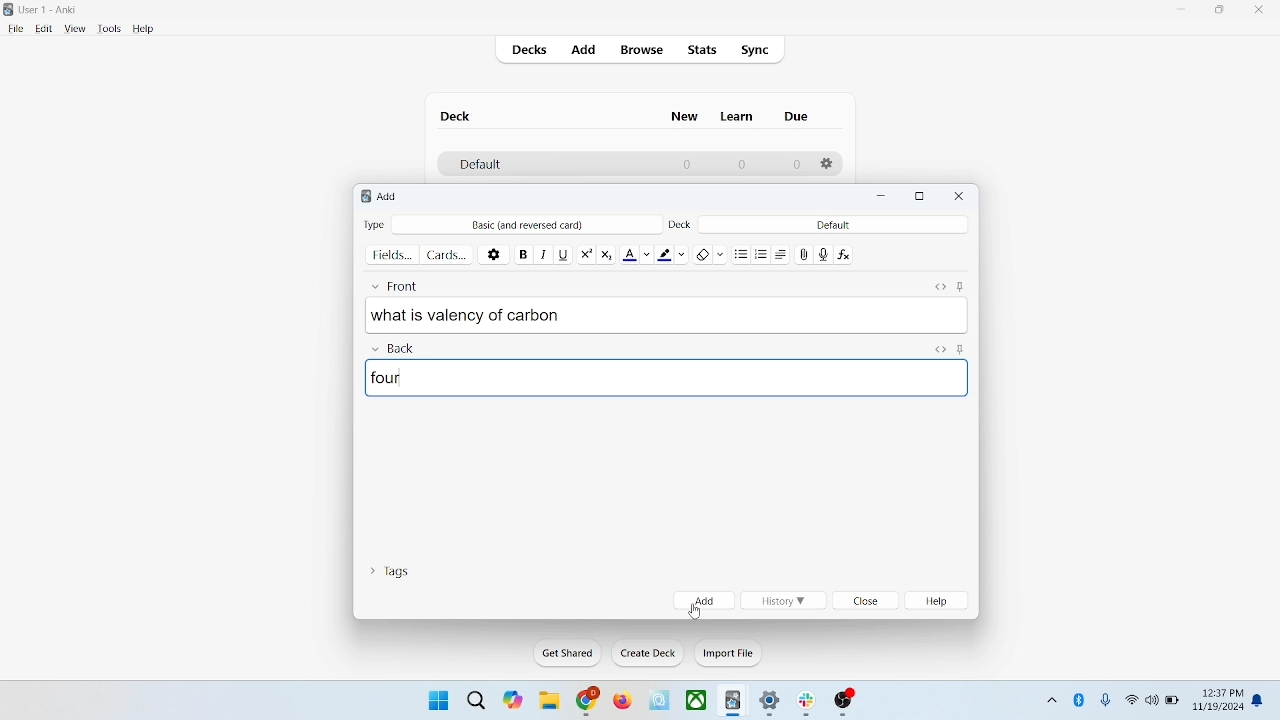 This screenshot has width=1280, height=720. Describe the element at coordinates (798, 117) in the screenshot. I see `due` at that location.